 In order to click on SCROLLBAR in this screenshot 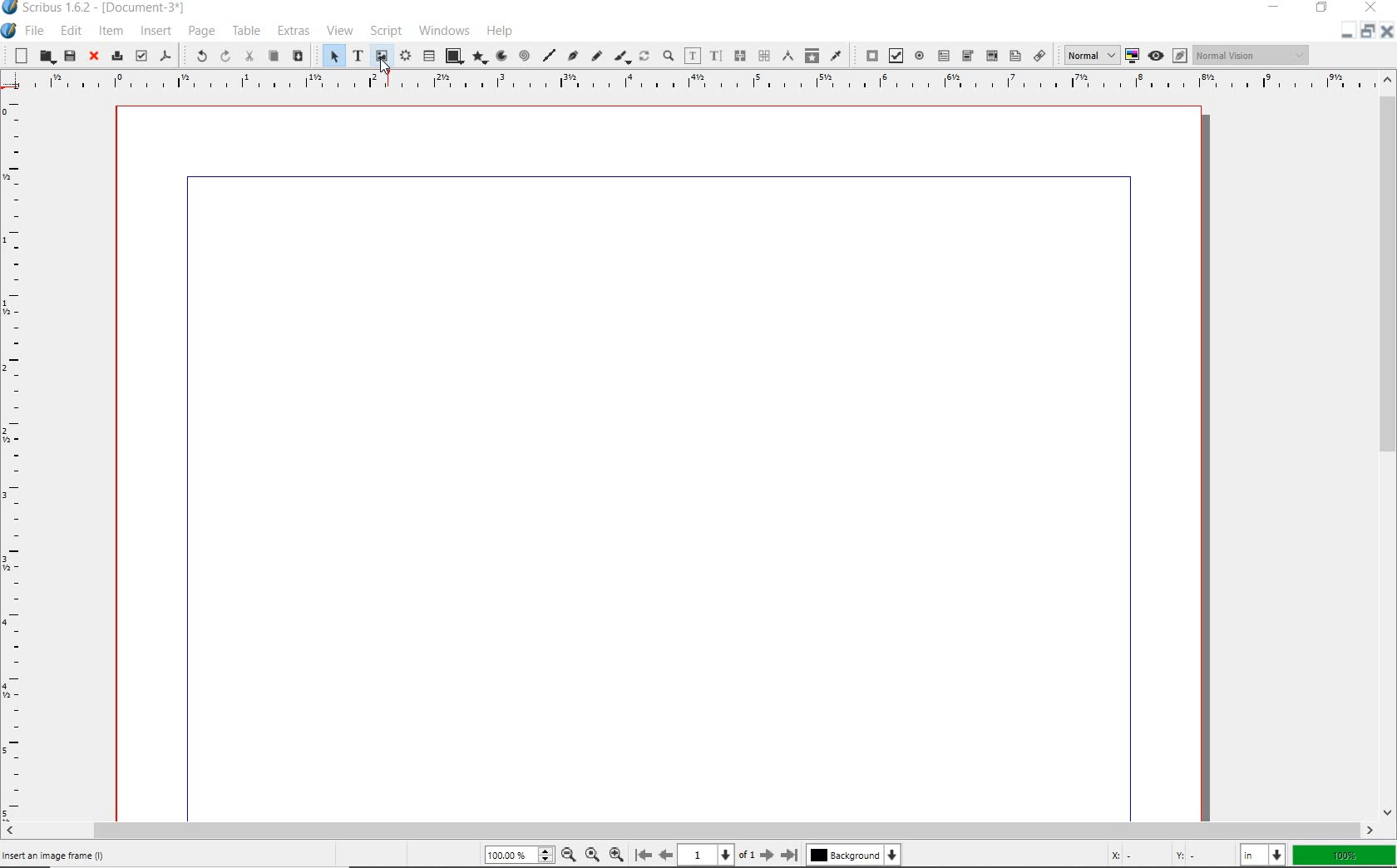, I will do `click(689, 830)`.